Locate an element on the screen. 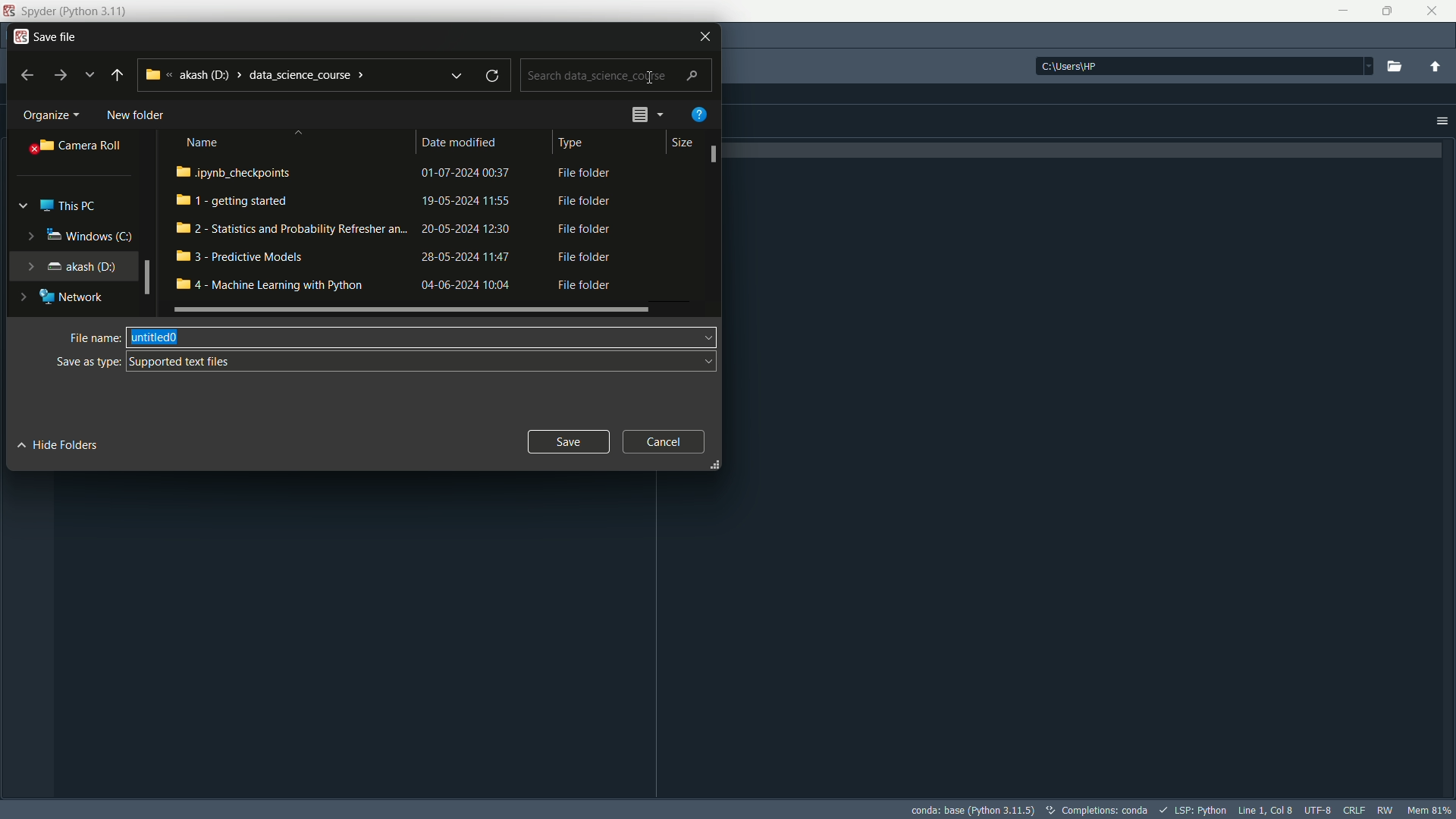 This screenshot has height=819, width=1456. python interpreter is located at coordinates (971, 810).